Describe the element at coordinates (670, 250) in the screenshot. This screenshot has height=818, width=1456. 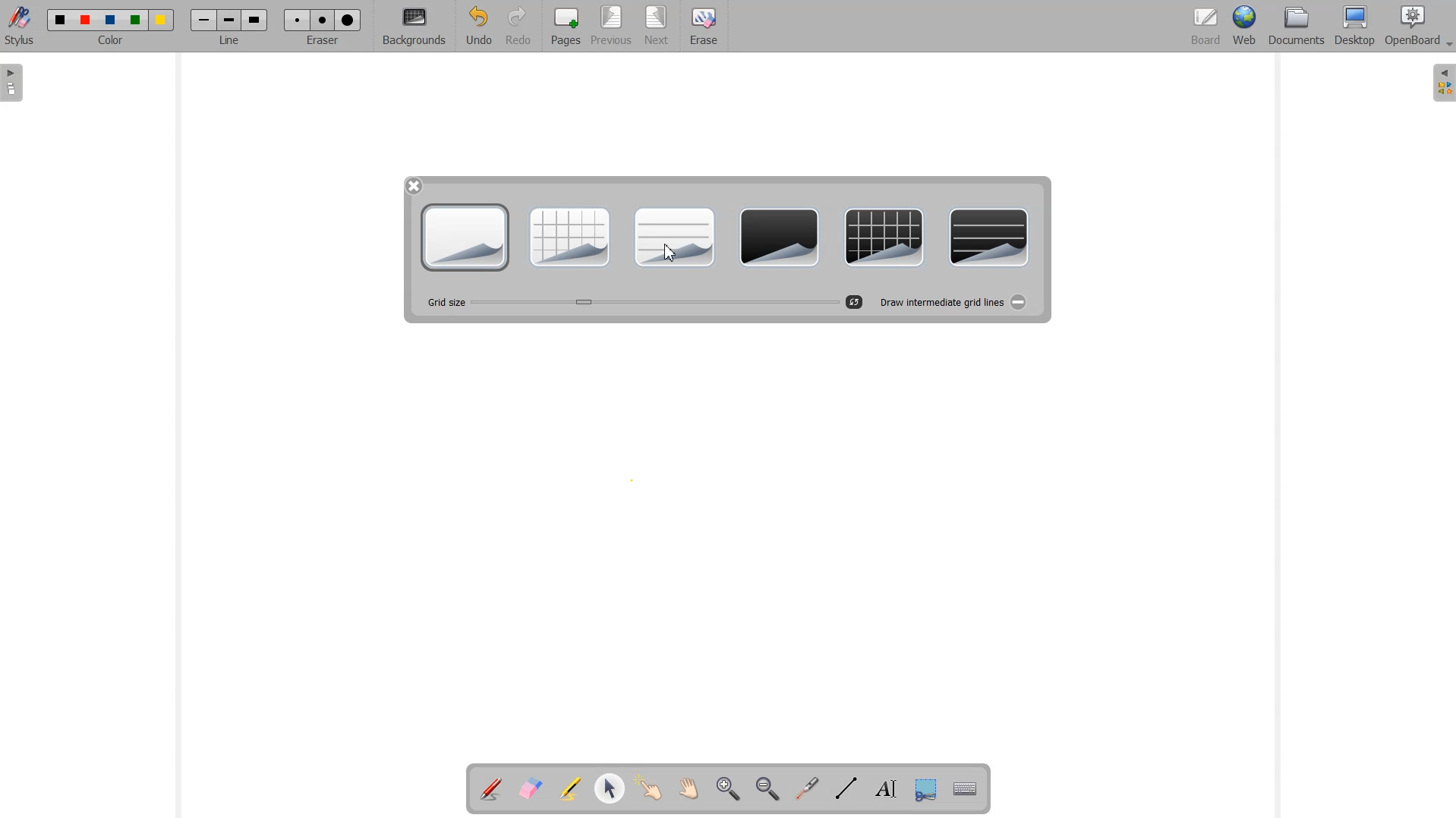
I see `Cursor` at that location.